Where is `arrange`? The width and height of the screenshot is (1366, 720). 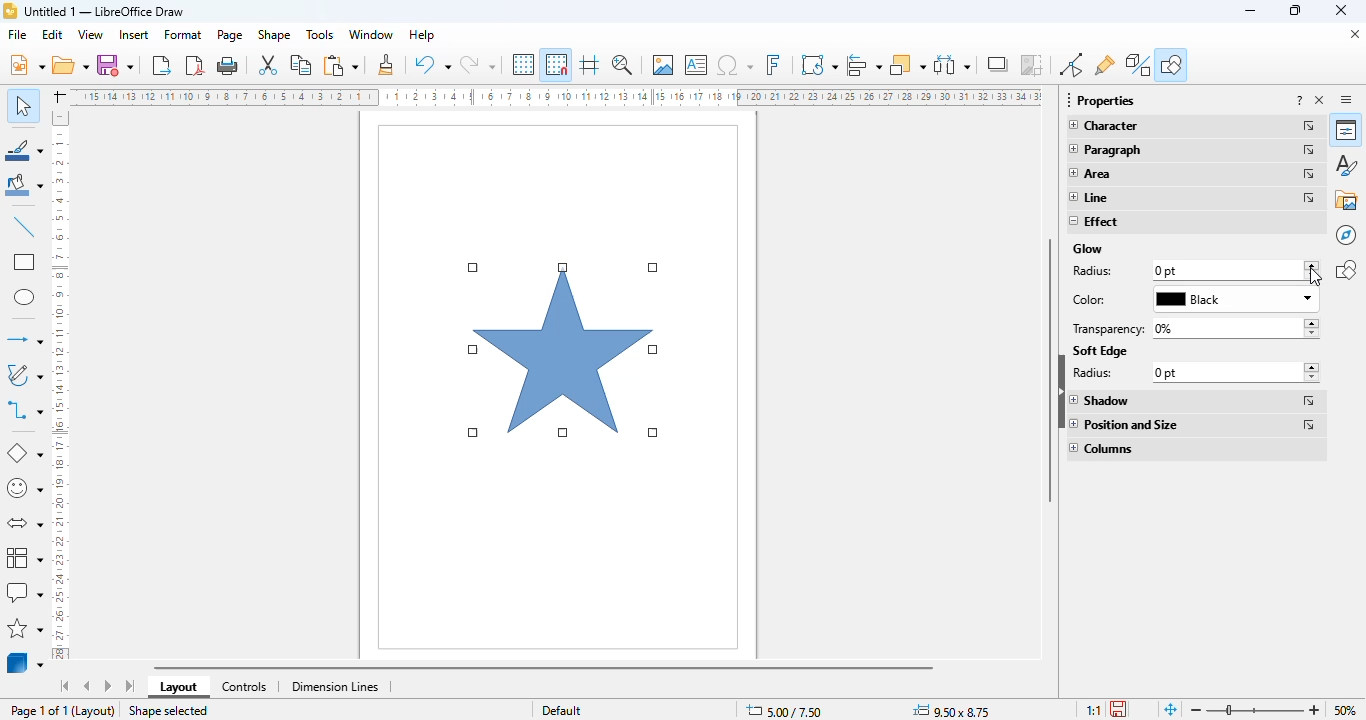 arrange is located at coordinates (908, 65).